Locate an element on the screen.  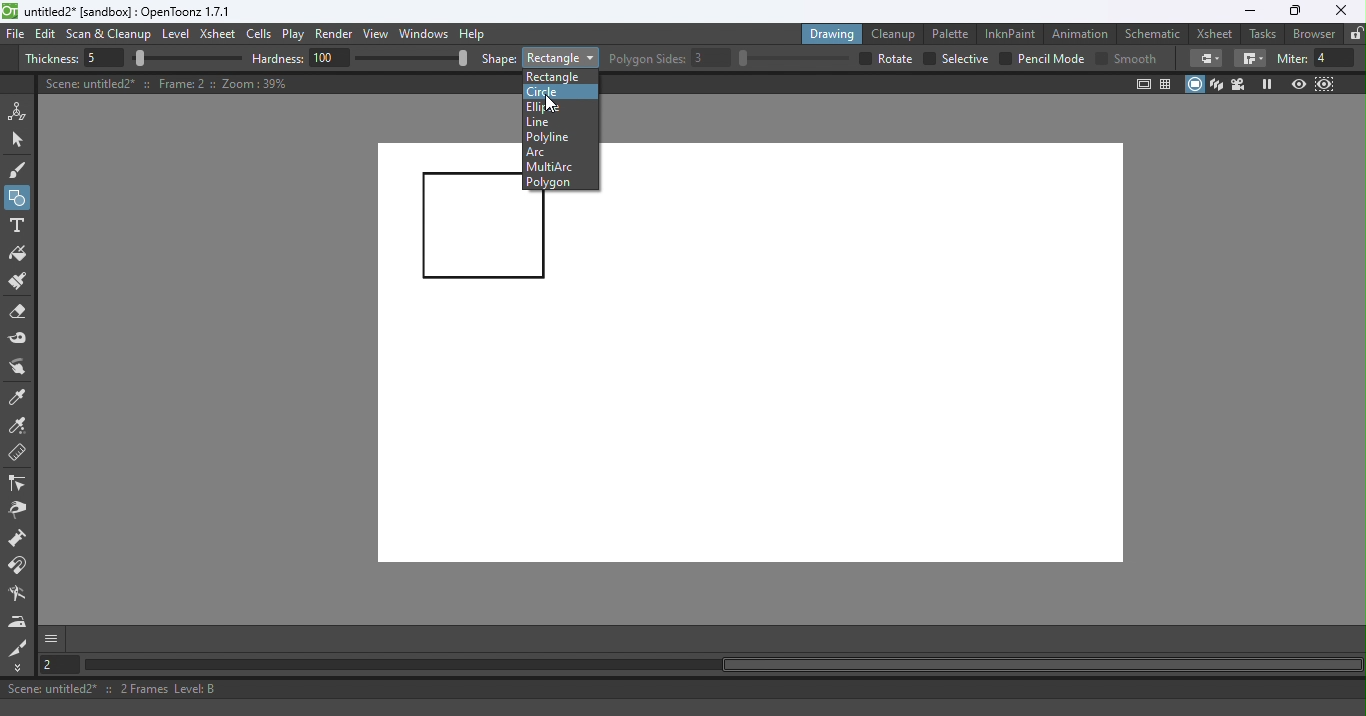
Tasks is located at coordinates (1264, 34).